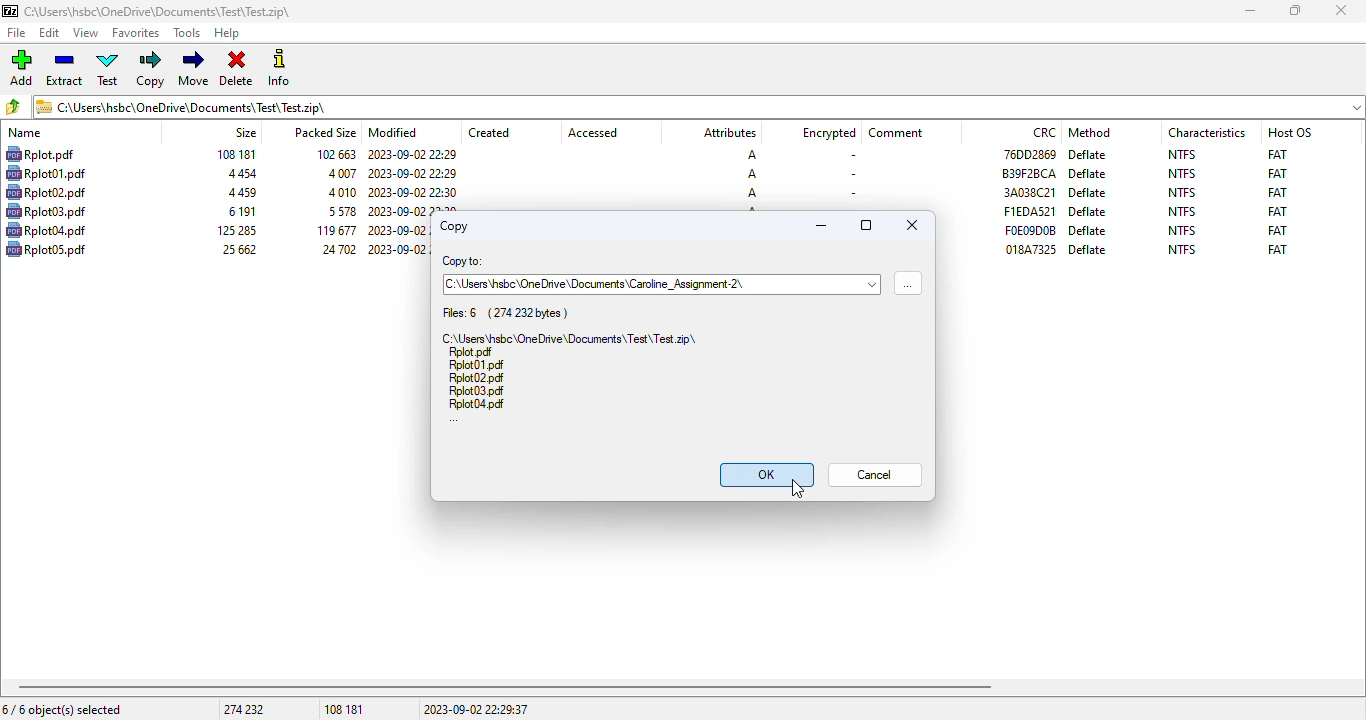 This screenshot has height=720, width=1366. I want to click on size, so click(239, 174).